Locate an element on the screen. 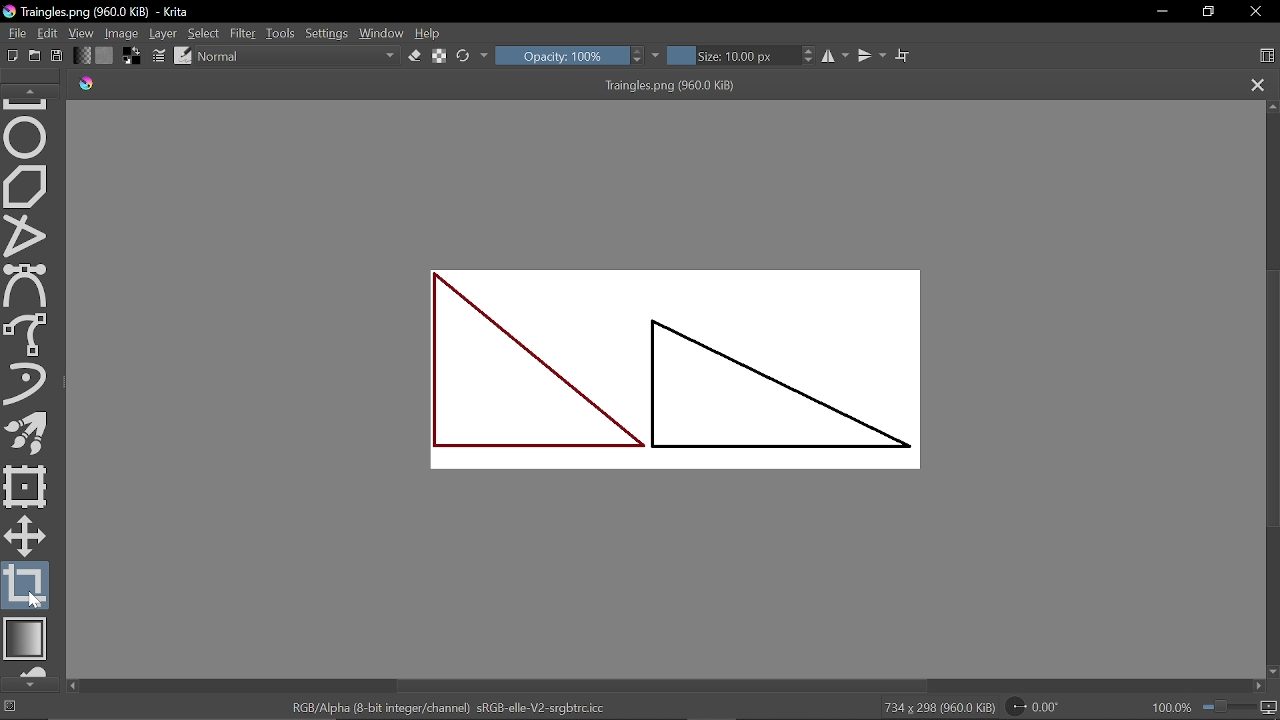 The width and height of the screenshot is (1280, 720). Two triangles is located at coordinates (669, 374).